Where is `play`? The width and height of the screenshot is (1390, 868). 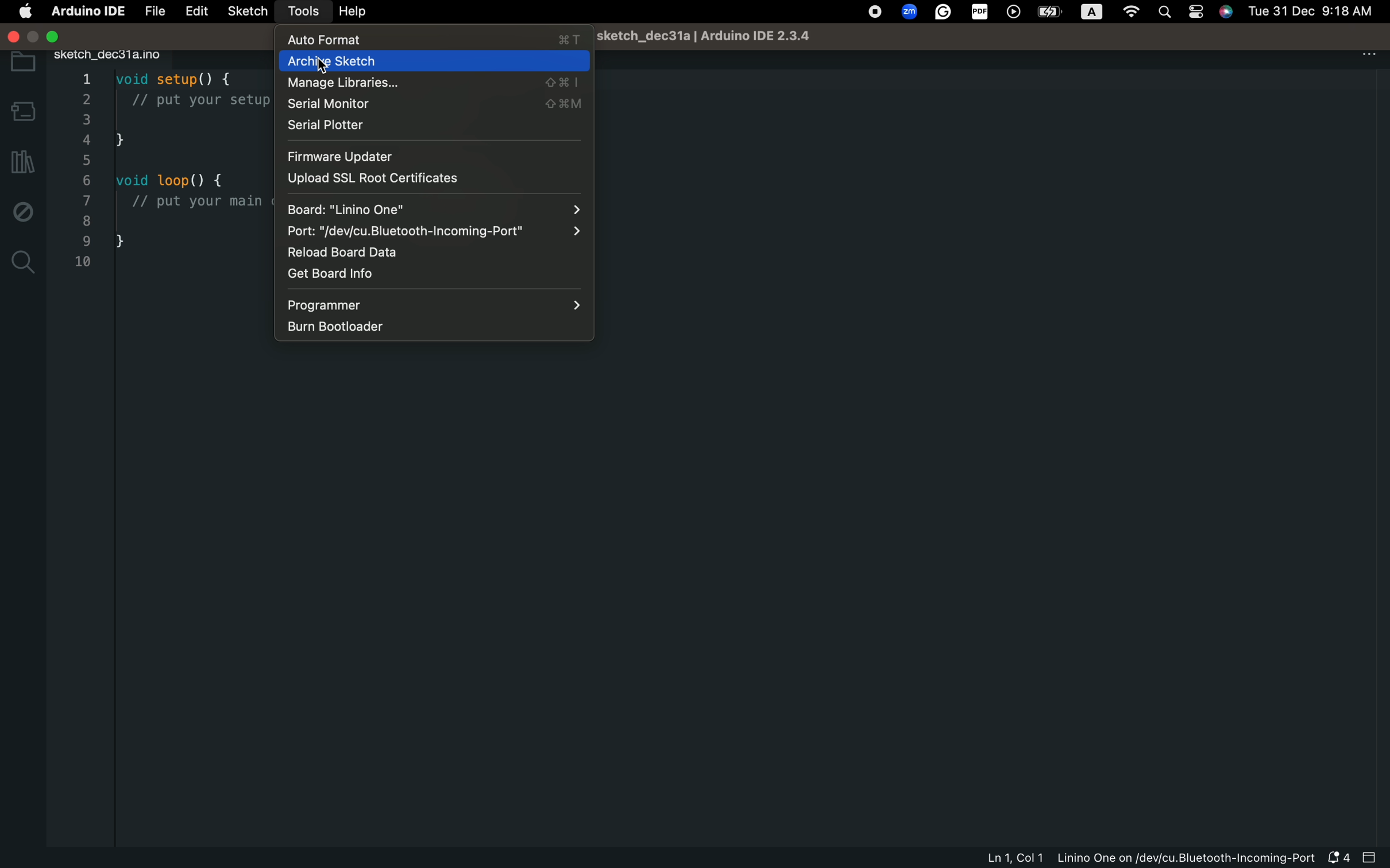 play is located at coordinates (1014, 13).